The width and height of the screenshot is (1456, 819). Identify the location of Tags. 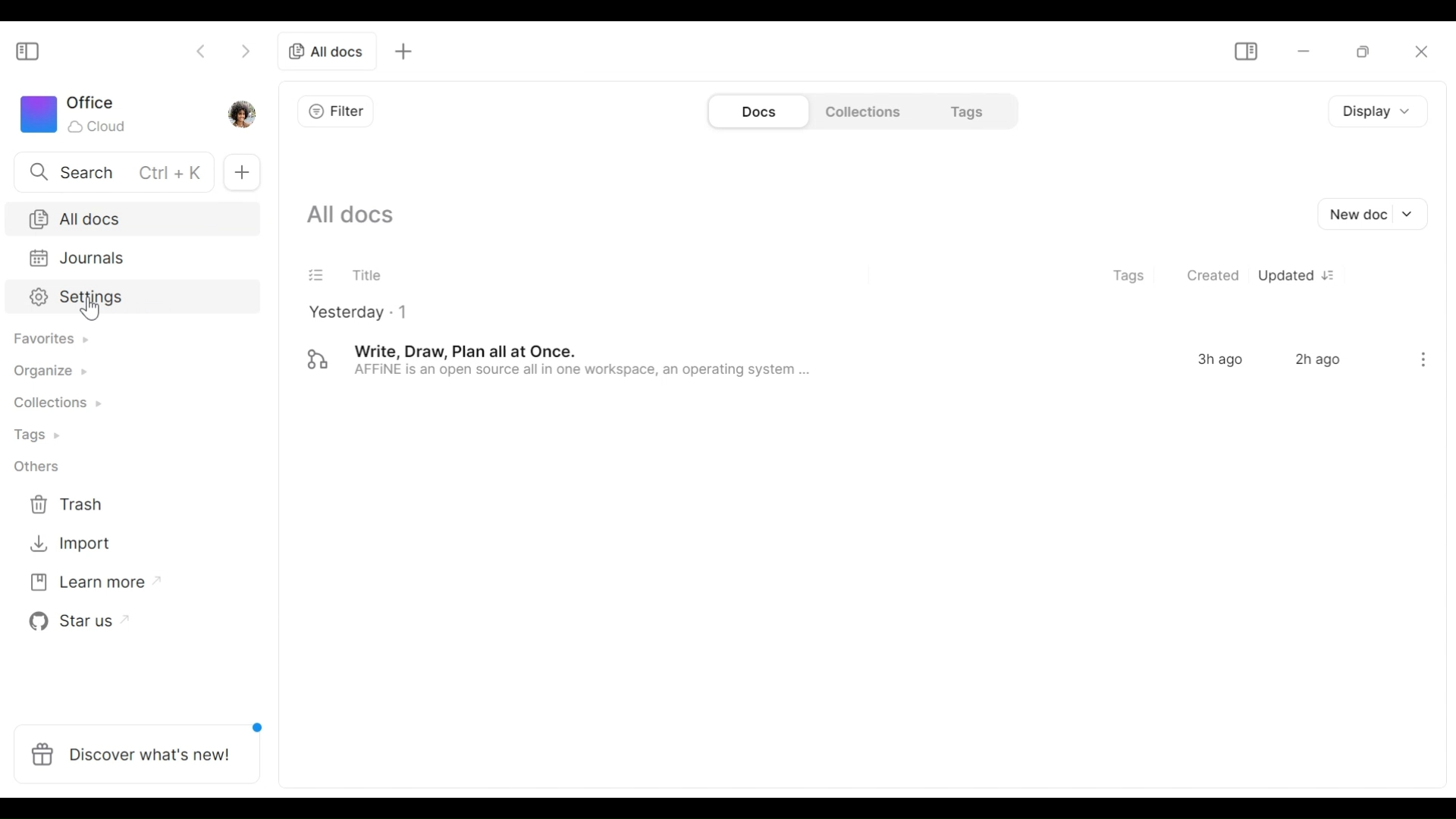
(968, 111).